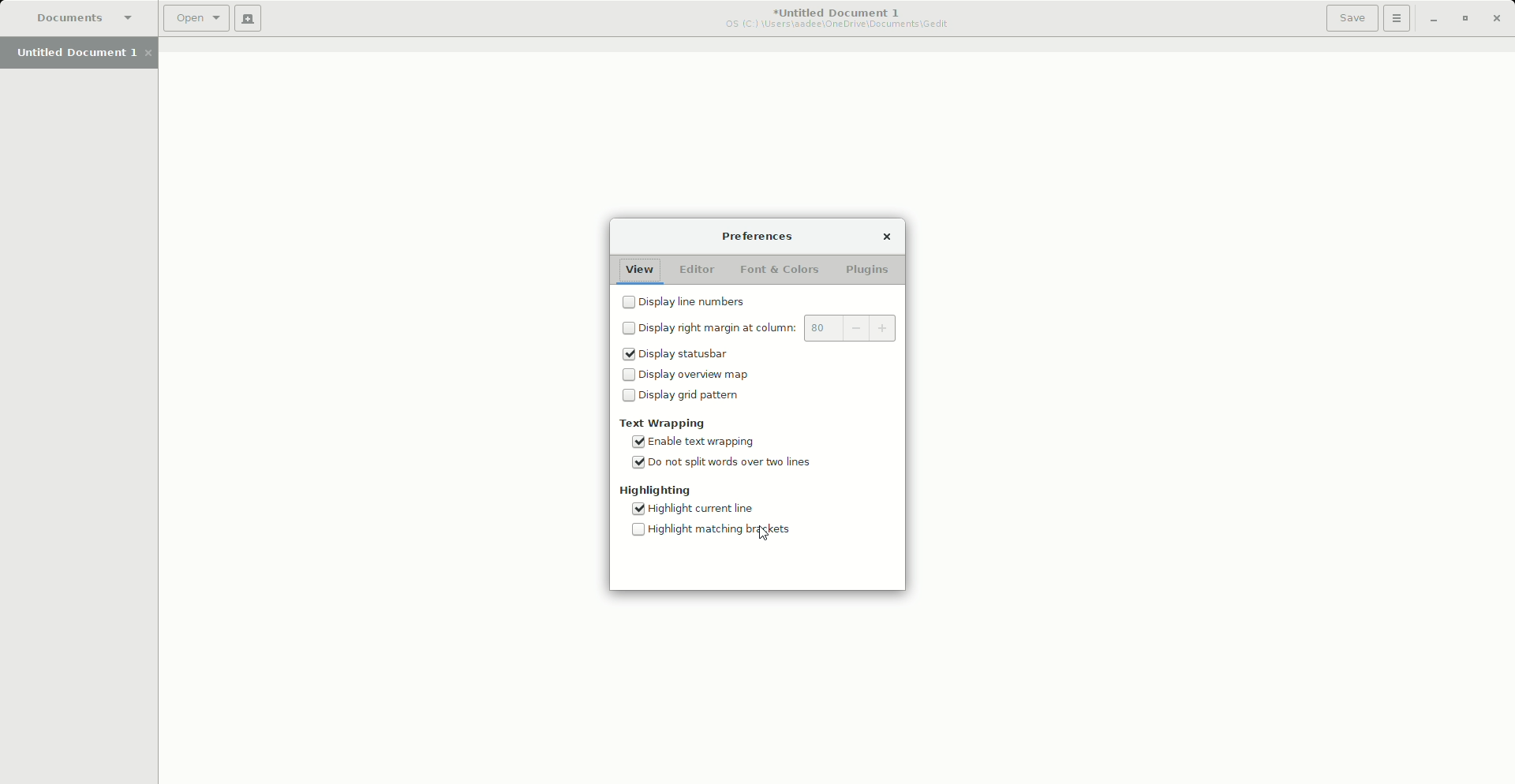 The image size is (1515, 784). What do you see at coordinates (1427, 19) in the screenshot?
I see `Minimize` at bounding box center [1427, 19].